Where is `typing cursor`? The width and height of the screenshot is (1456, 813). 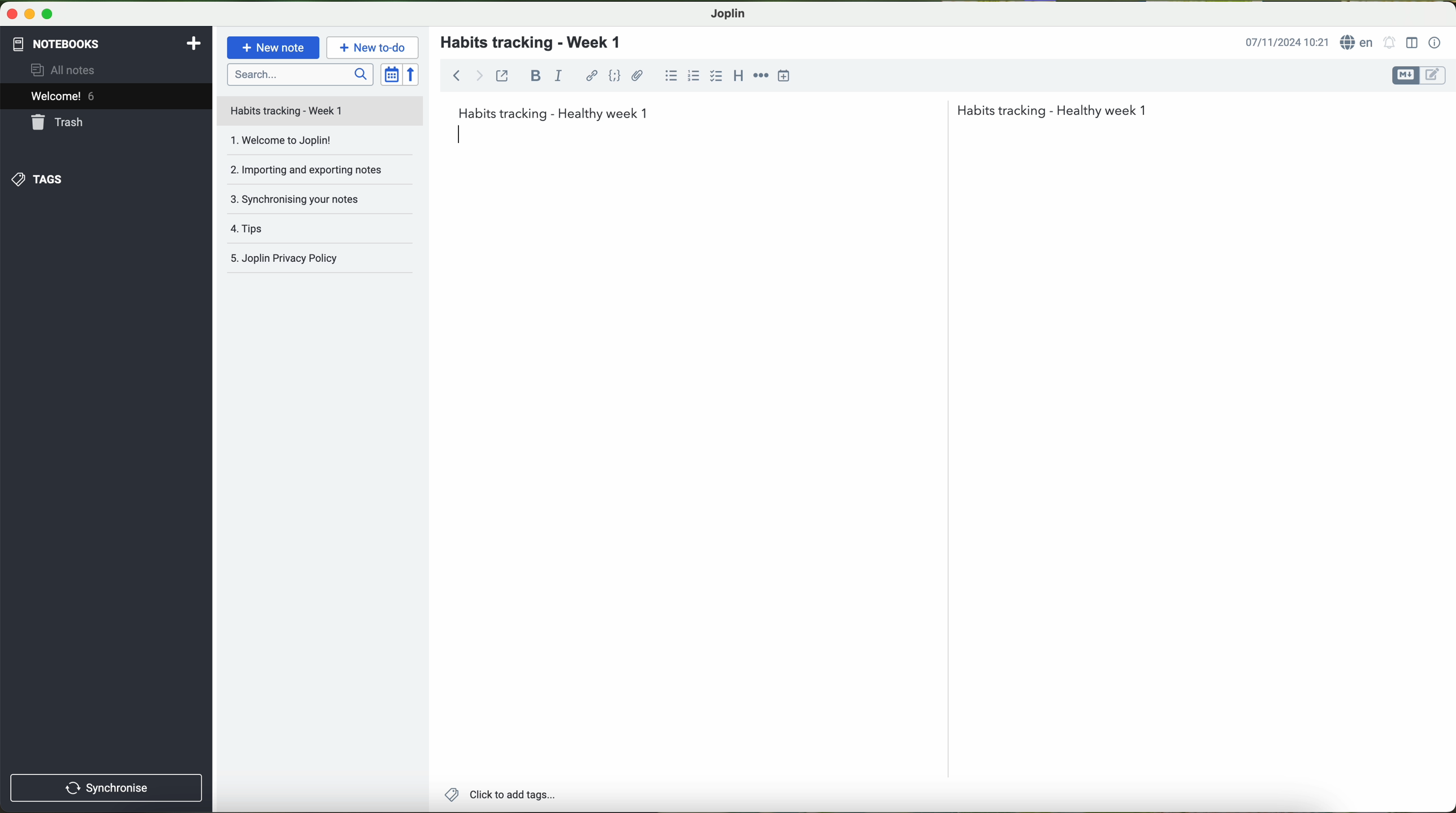
typing cursor is located at coordinates (463, 134).